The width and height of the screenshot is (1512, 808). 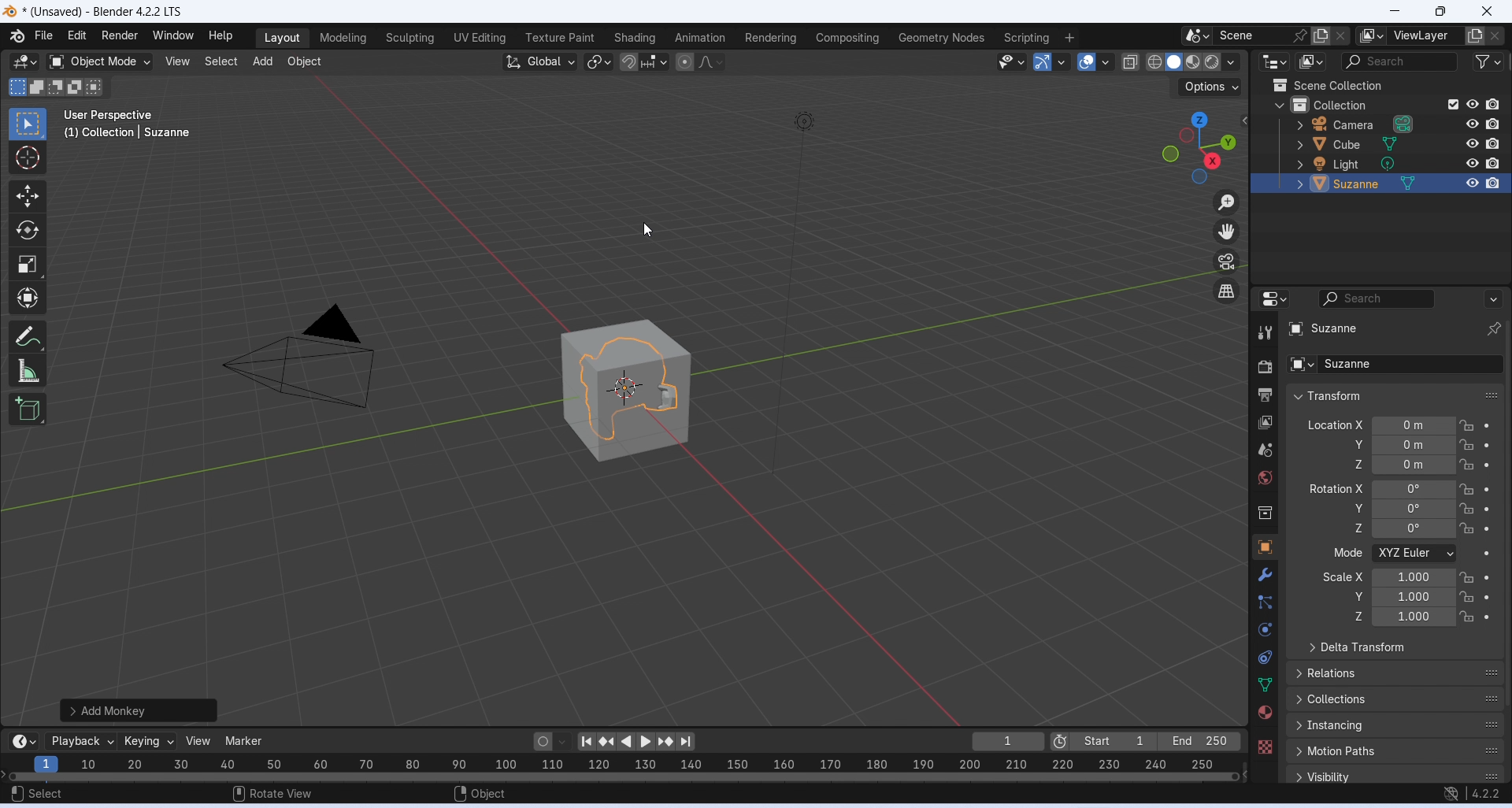 I want to click on world, so click(x=1266, y=477).